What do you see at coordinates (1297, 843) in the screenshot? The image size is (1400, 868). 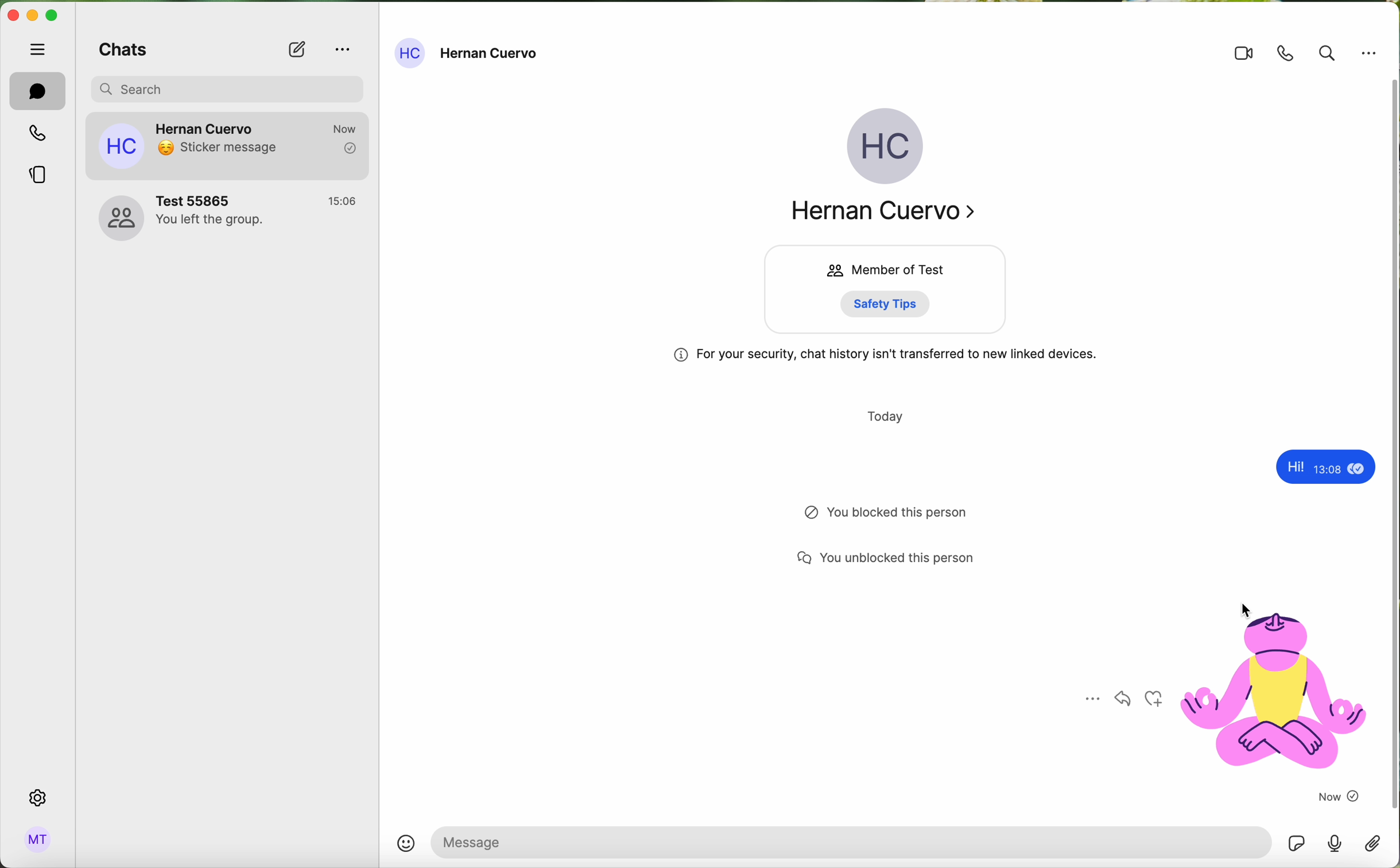 I see `gif and sticker option` at bounding box center [1297, 843].